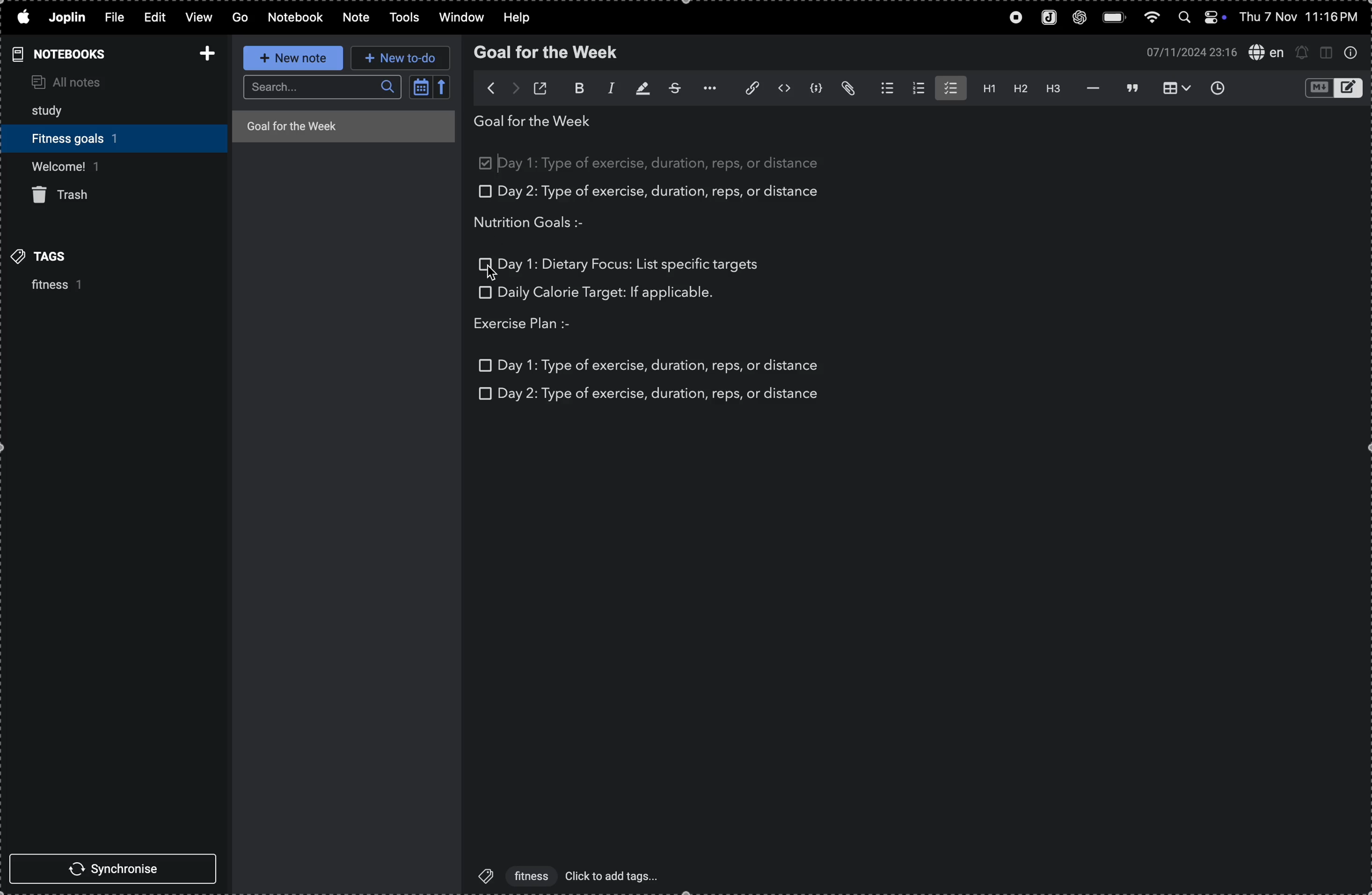 This screenshot has height=895, width=1372. What do you see at coordinates (1078, 18) in the screenshot?
I see `chatgpt` at bounding box center [1078, 18].